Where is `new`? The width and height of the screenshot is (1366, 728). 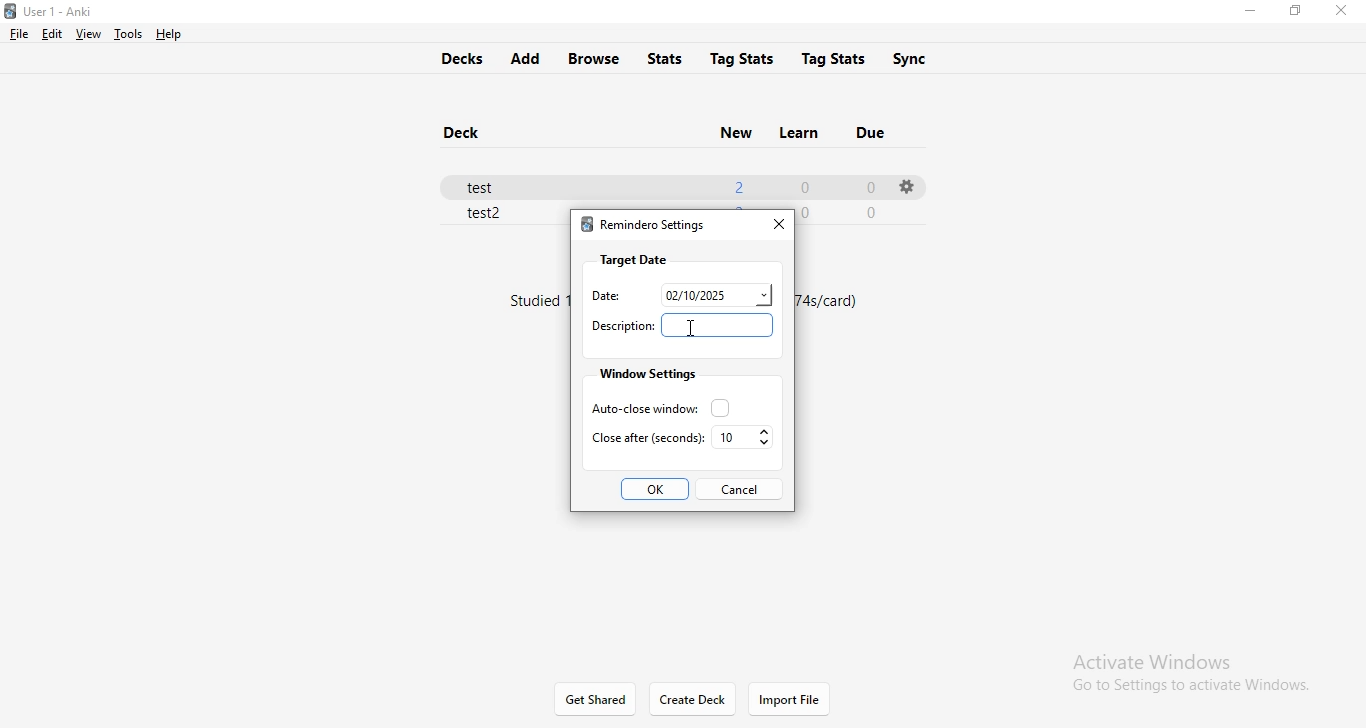 new is located at coordinates (734, 131).